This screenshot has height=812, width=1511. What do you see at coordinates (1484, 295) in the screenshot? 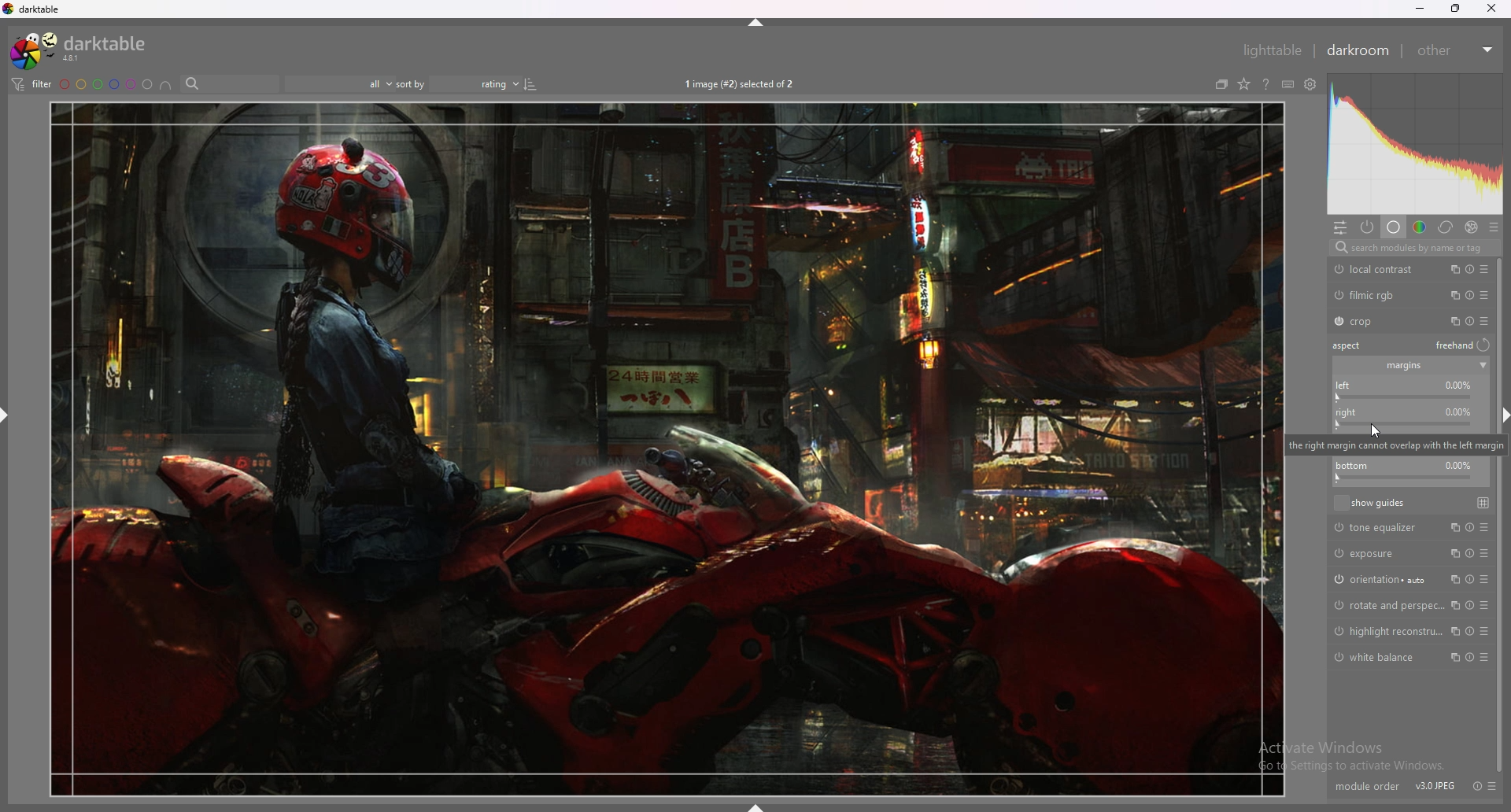
I see `presets` at bounding box center [1484, 295].